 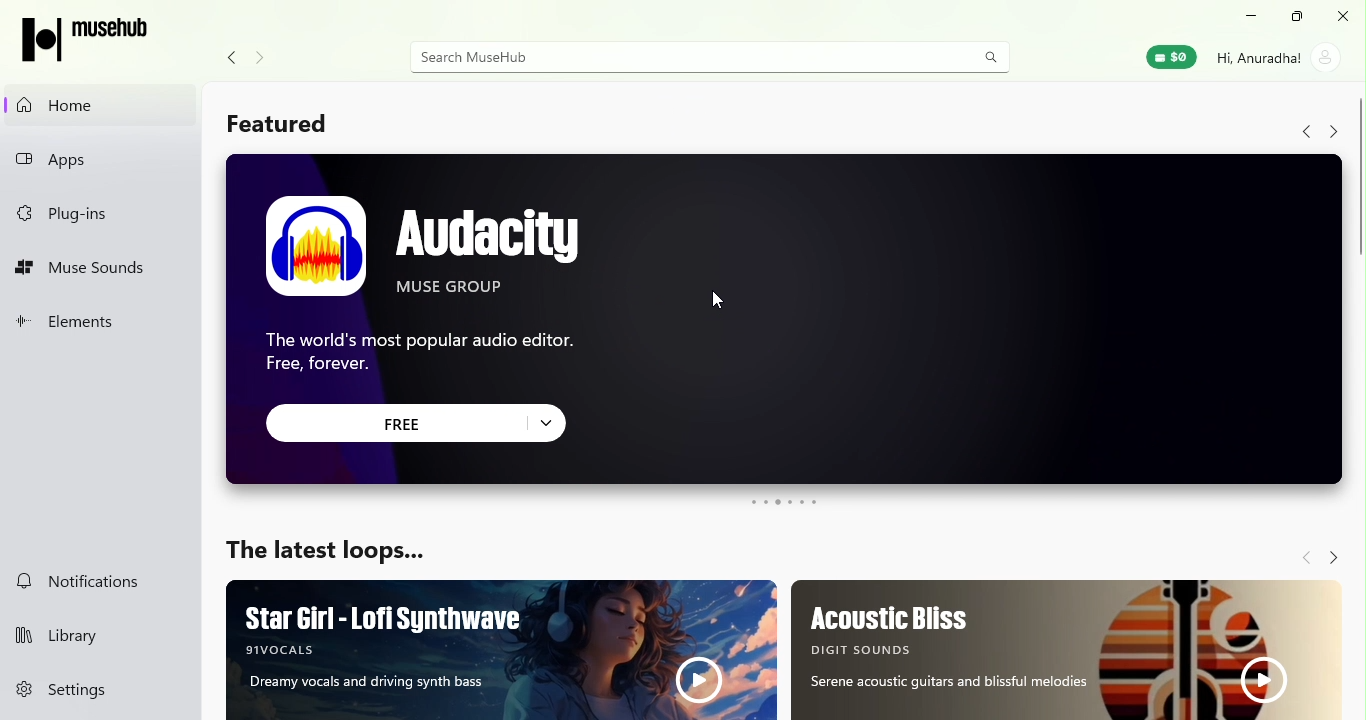 I want to click on Navigate back, so click(x=1304, y=131).